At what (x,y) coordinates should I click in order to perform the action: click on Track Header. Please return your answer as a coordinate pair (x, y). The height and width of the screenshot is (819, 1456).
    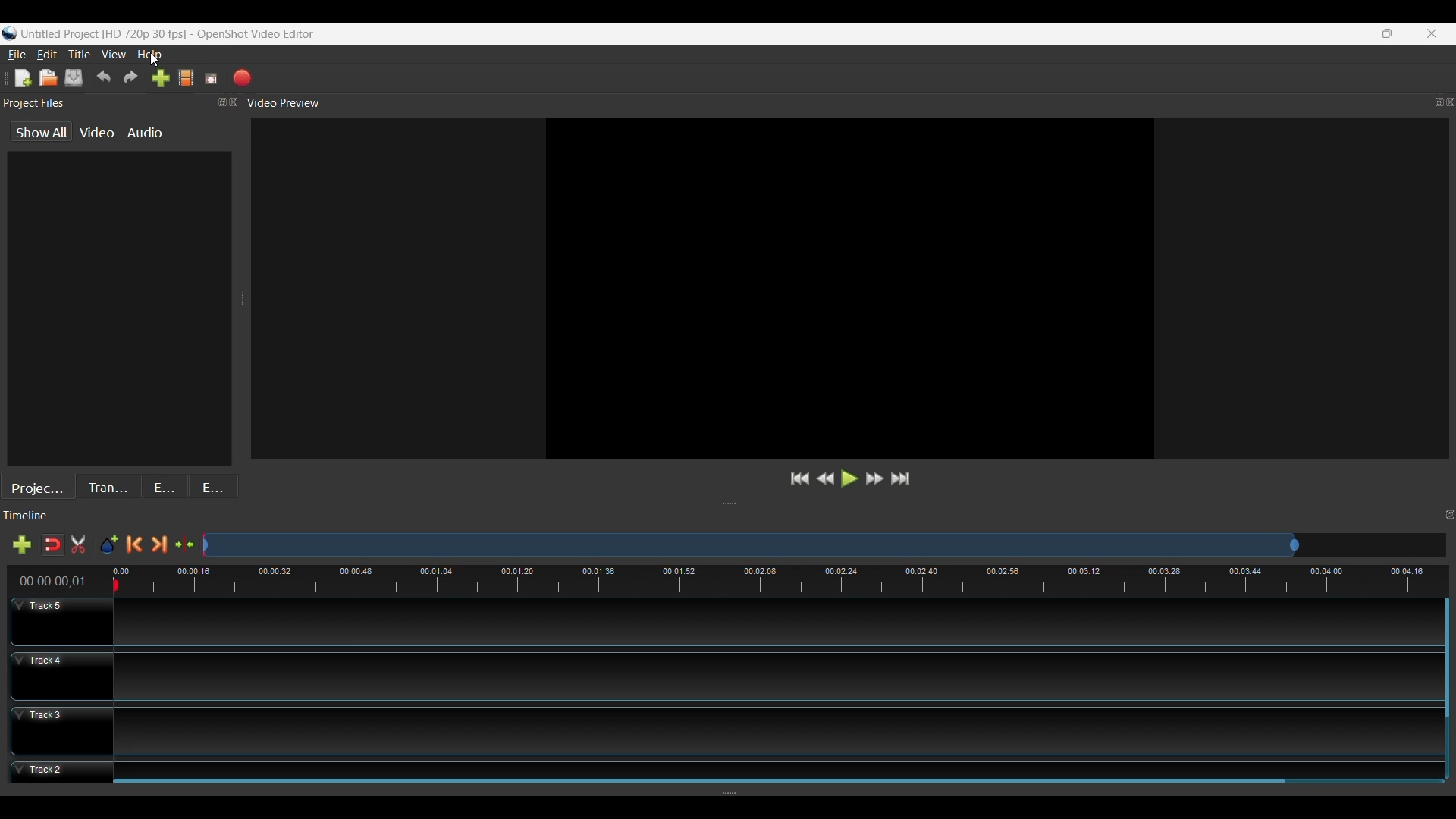
    Looking at the image, I should click on (58, 771).